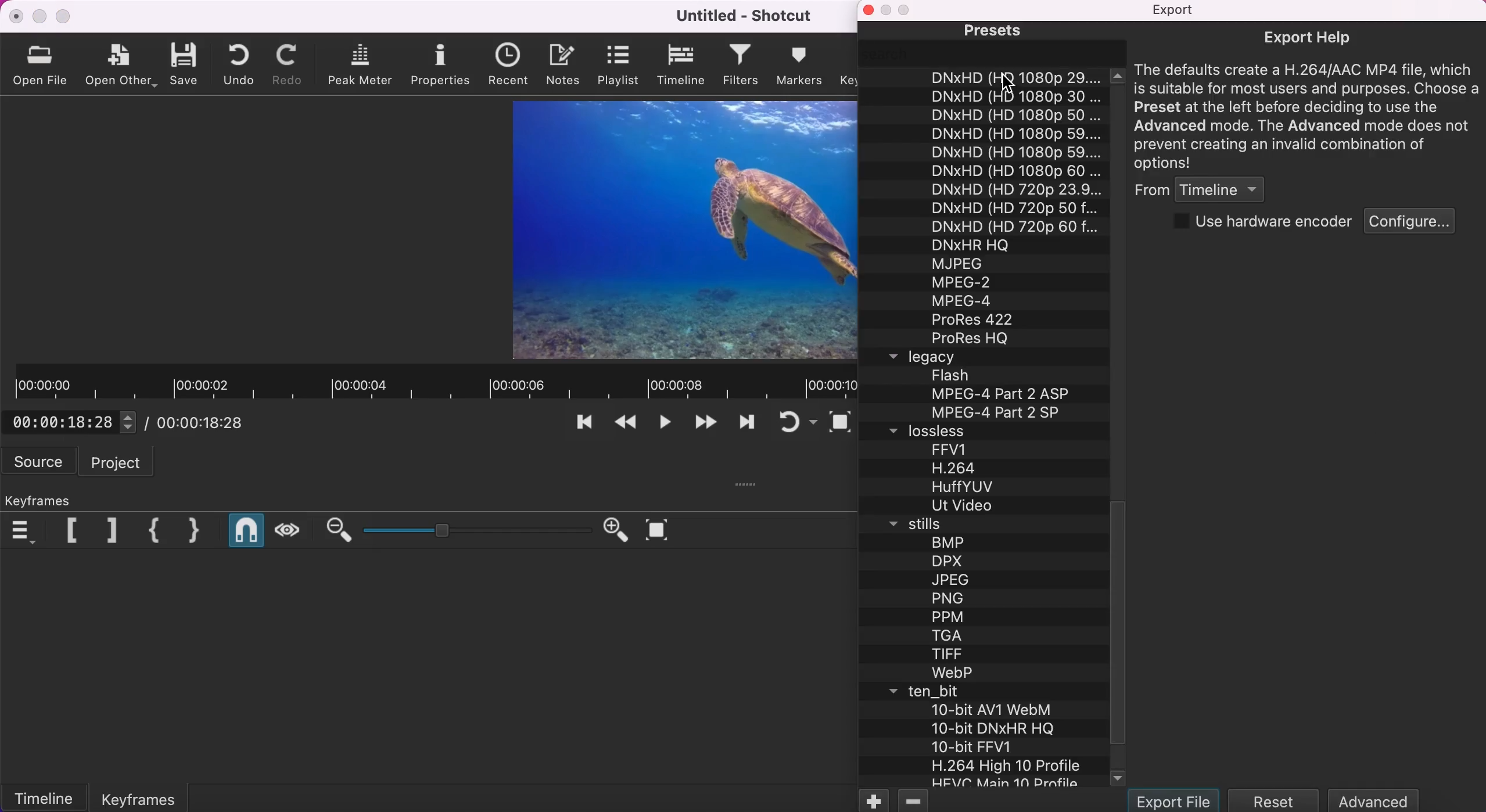  Describe the element at coordinates (613, 530) in the screenshot. I see `zoom in` at that location.